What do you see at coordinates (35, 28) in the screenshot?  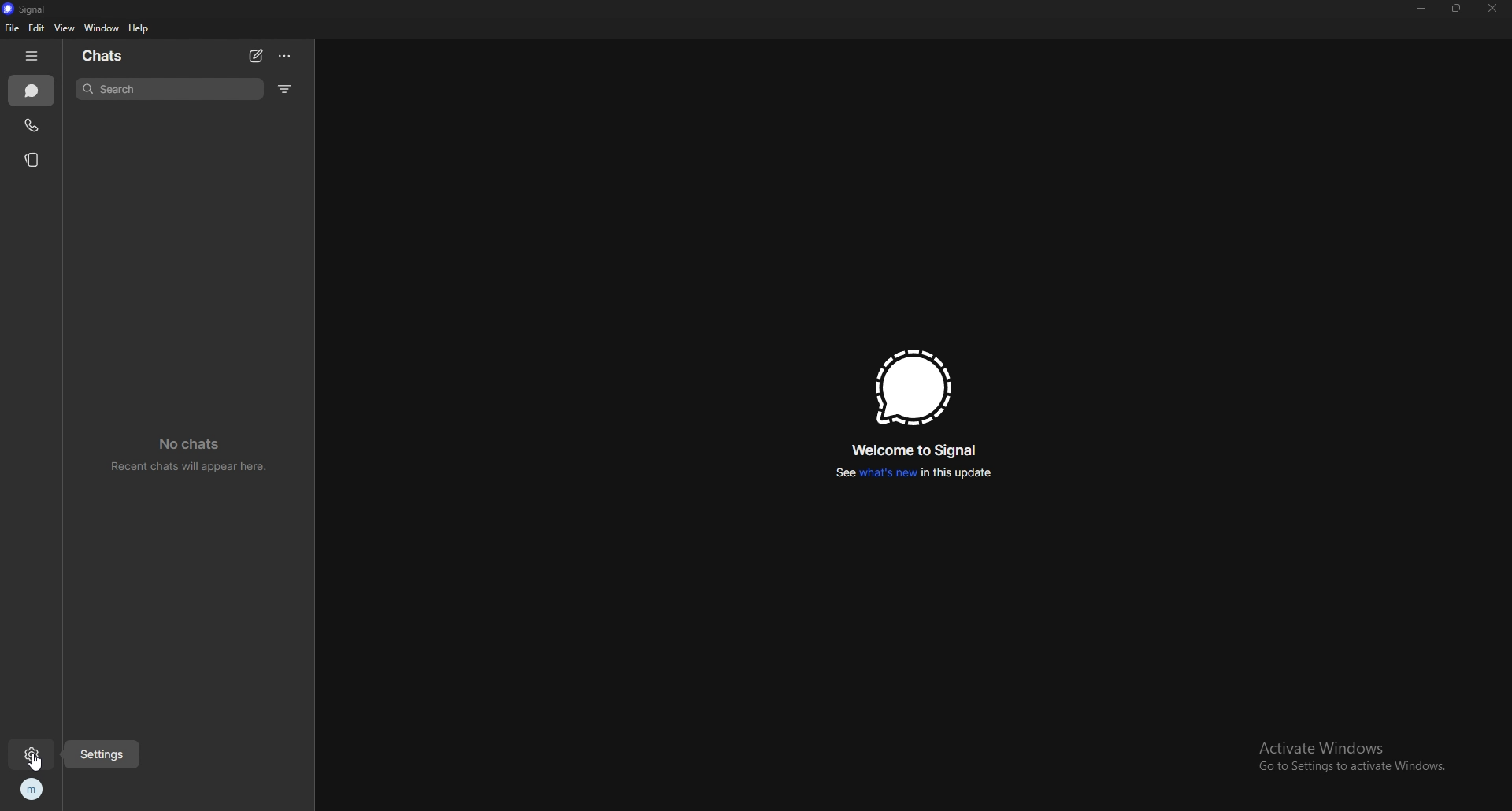 I see `edit` at bounding box center [35, 28].